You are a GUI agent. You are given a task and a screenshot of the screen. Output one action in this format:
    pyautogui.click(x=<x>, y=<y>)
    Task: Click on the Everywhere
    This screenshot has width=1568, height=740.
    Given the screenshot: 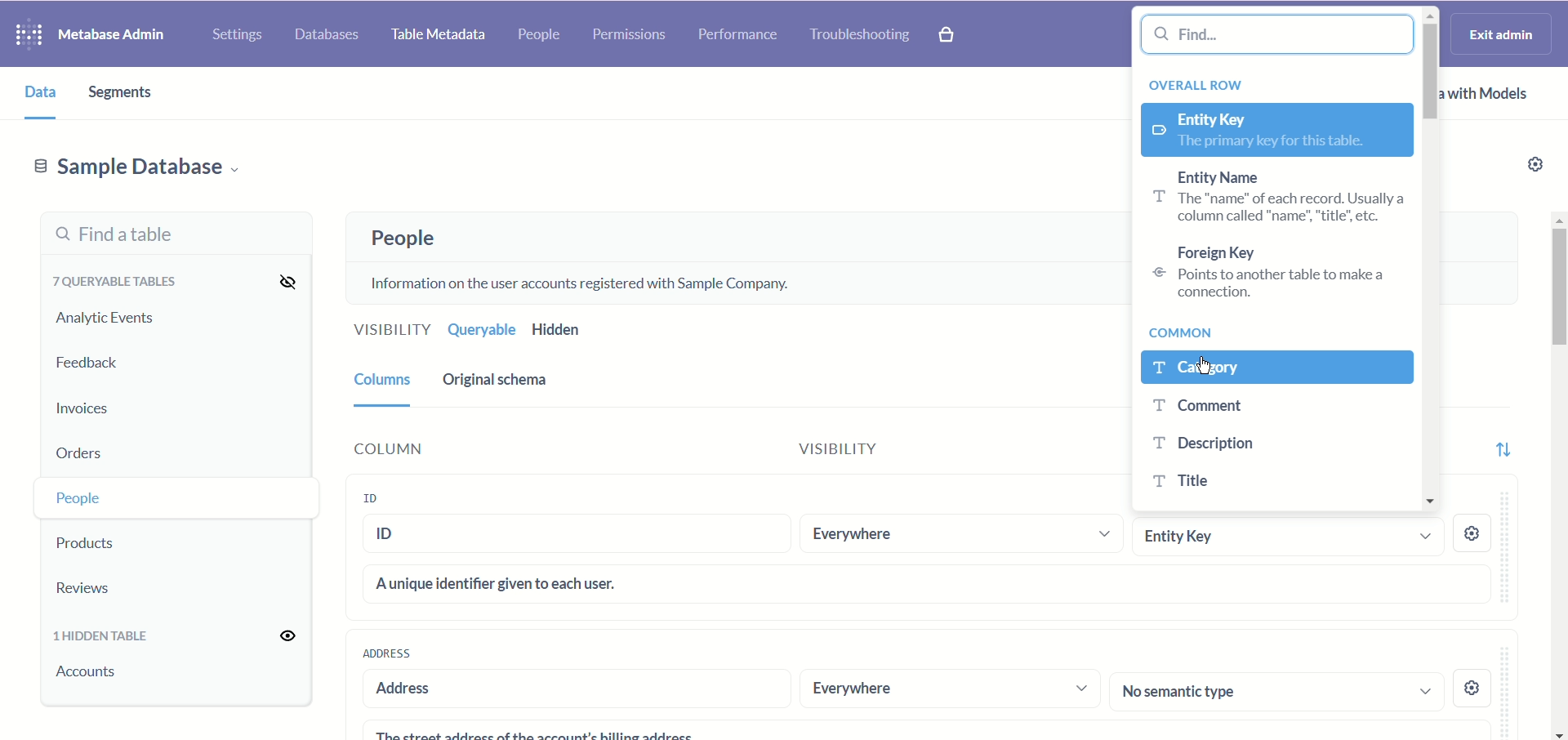 What is the action you would take?
    pyautogui.click(x=950, y=689)
    